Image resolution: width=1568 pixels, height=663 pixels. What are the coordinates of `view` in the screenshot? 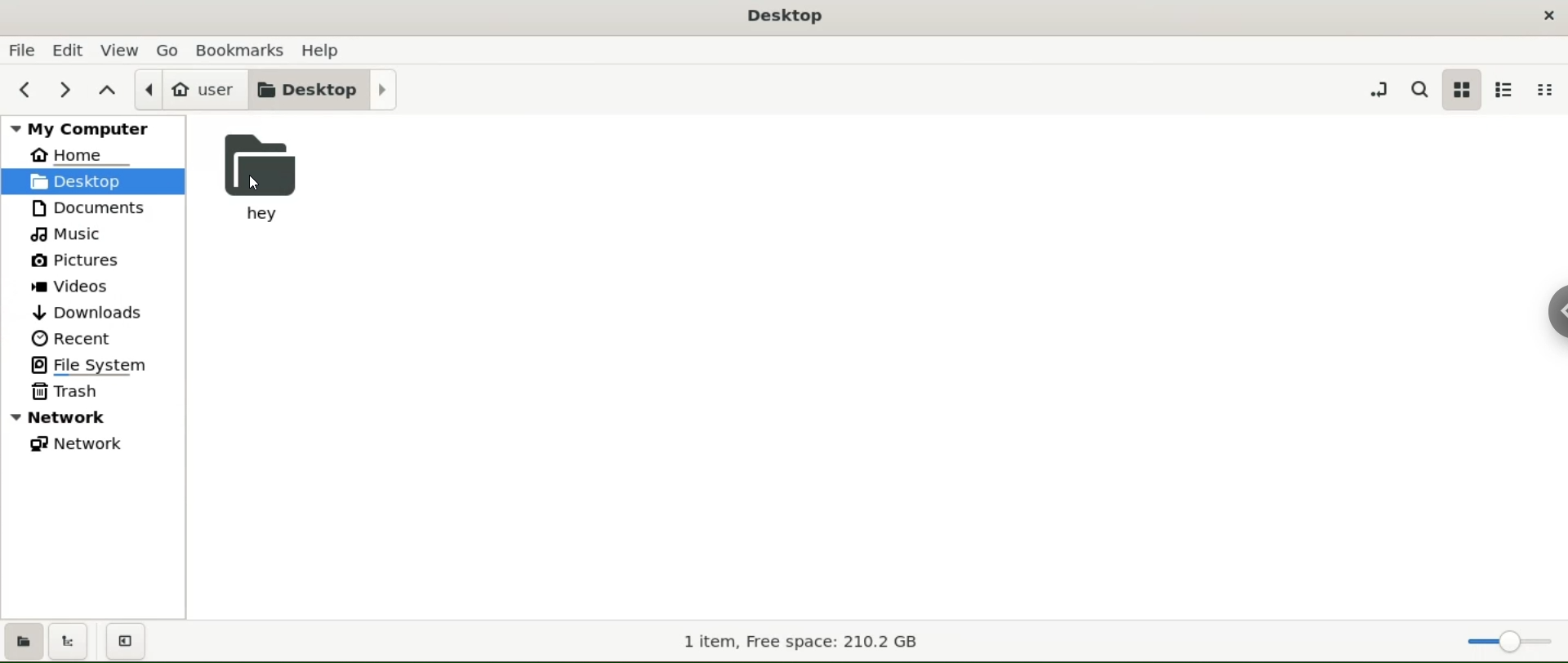 It's located at (120, 49).